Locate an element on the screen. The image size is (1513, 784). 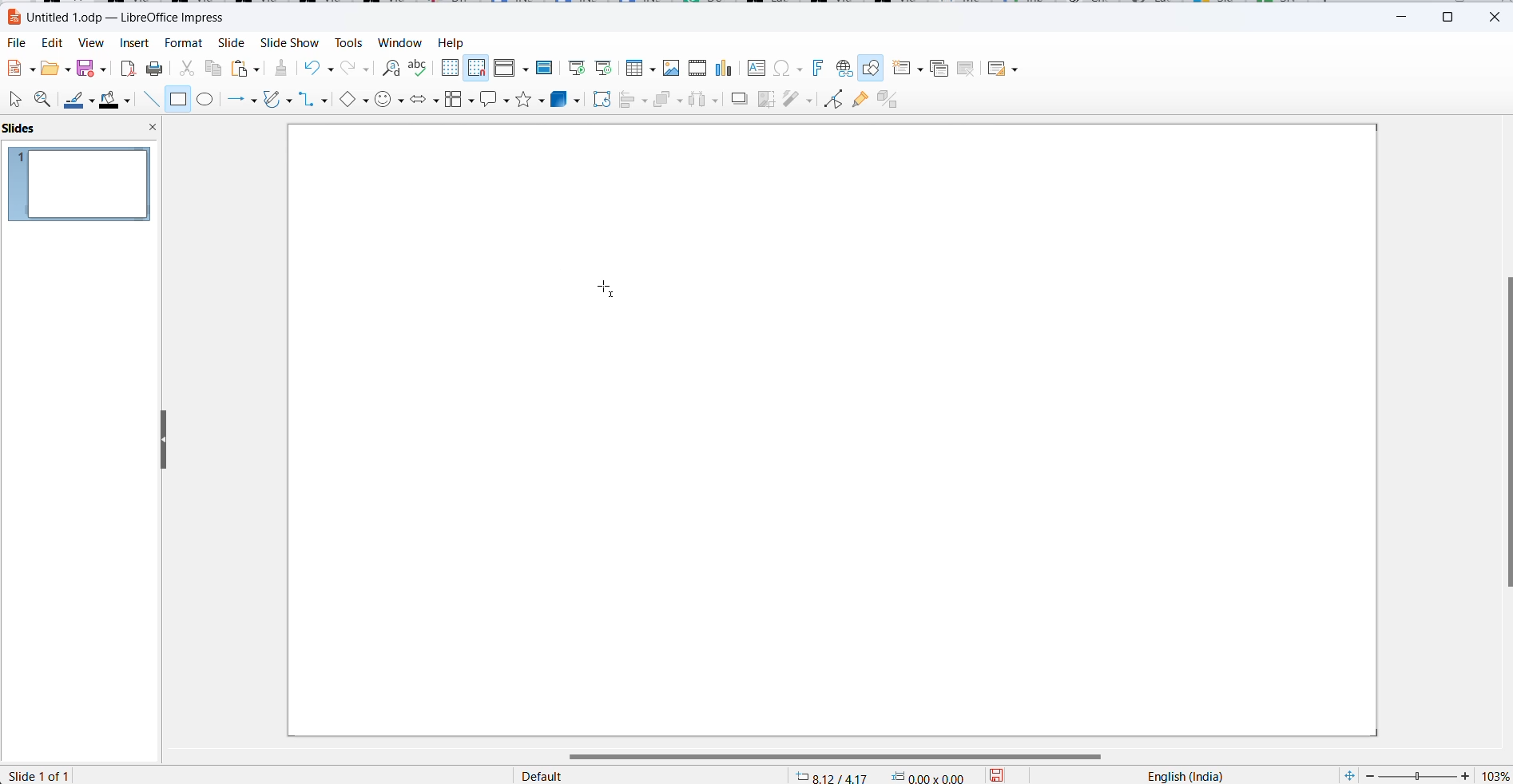
save option is located at coordinates (89, 67).